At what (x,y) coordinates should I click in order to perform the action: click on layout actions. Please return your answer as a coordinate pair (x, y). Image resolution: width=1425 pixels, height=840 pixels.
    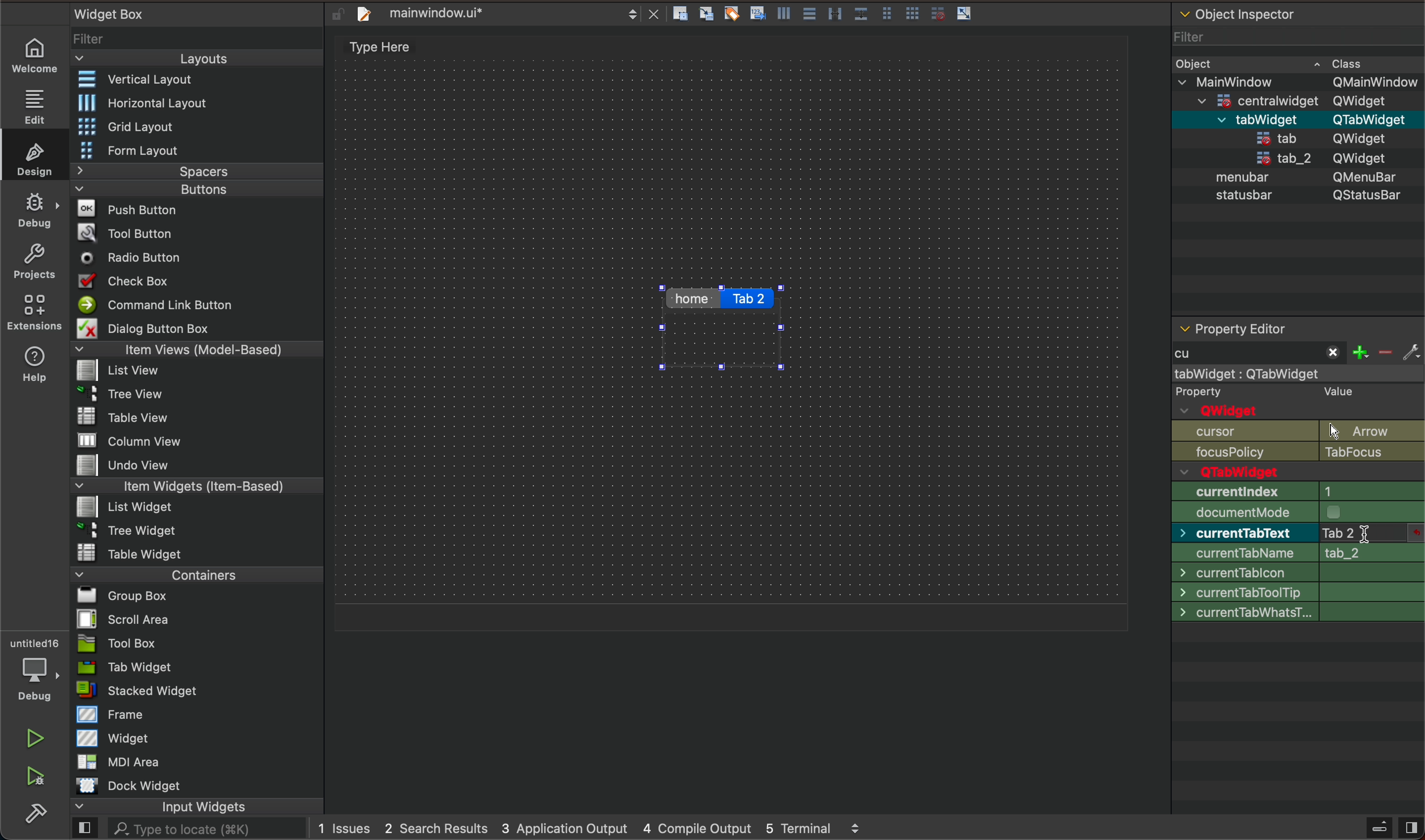
    Looking at the image, I should click on (872, 12).